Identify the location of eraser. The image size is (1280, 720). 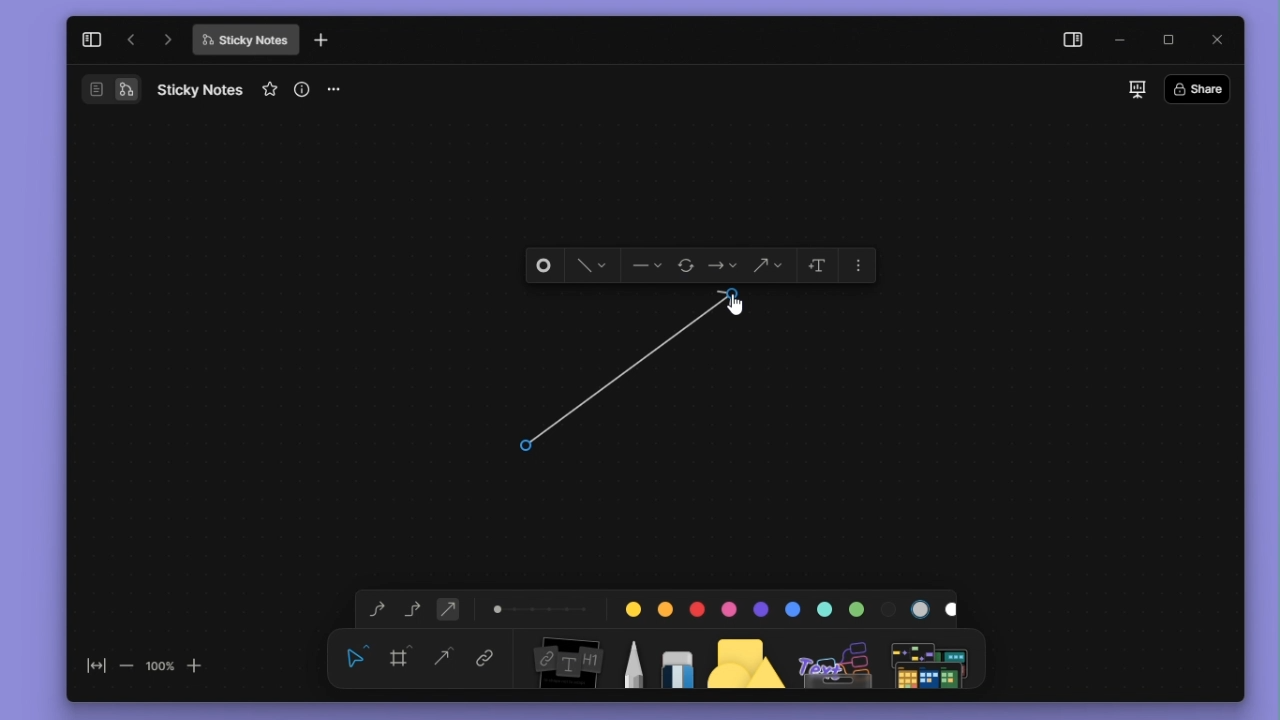
(673, 657).